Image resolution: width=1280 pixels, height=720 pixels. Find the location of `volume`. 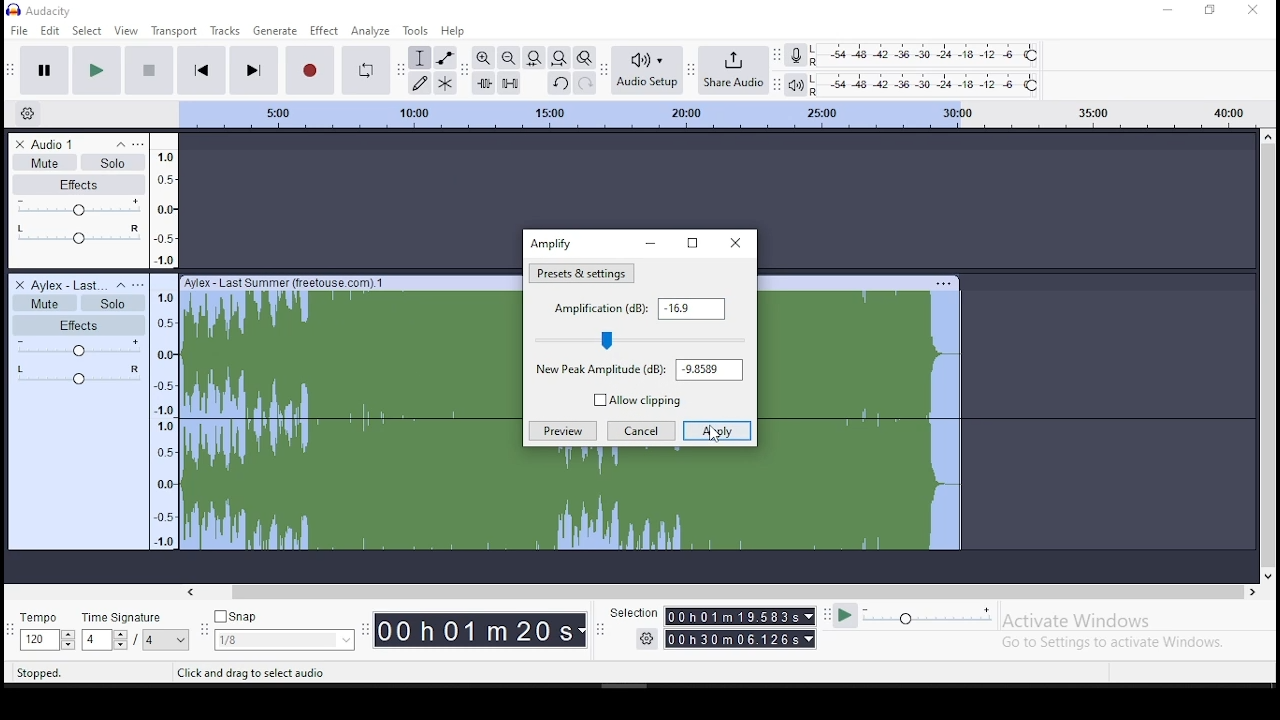

volume is located at coordinates (77, 348).